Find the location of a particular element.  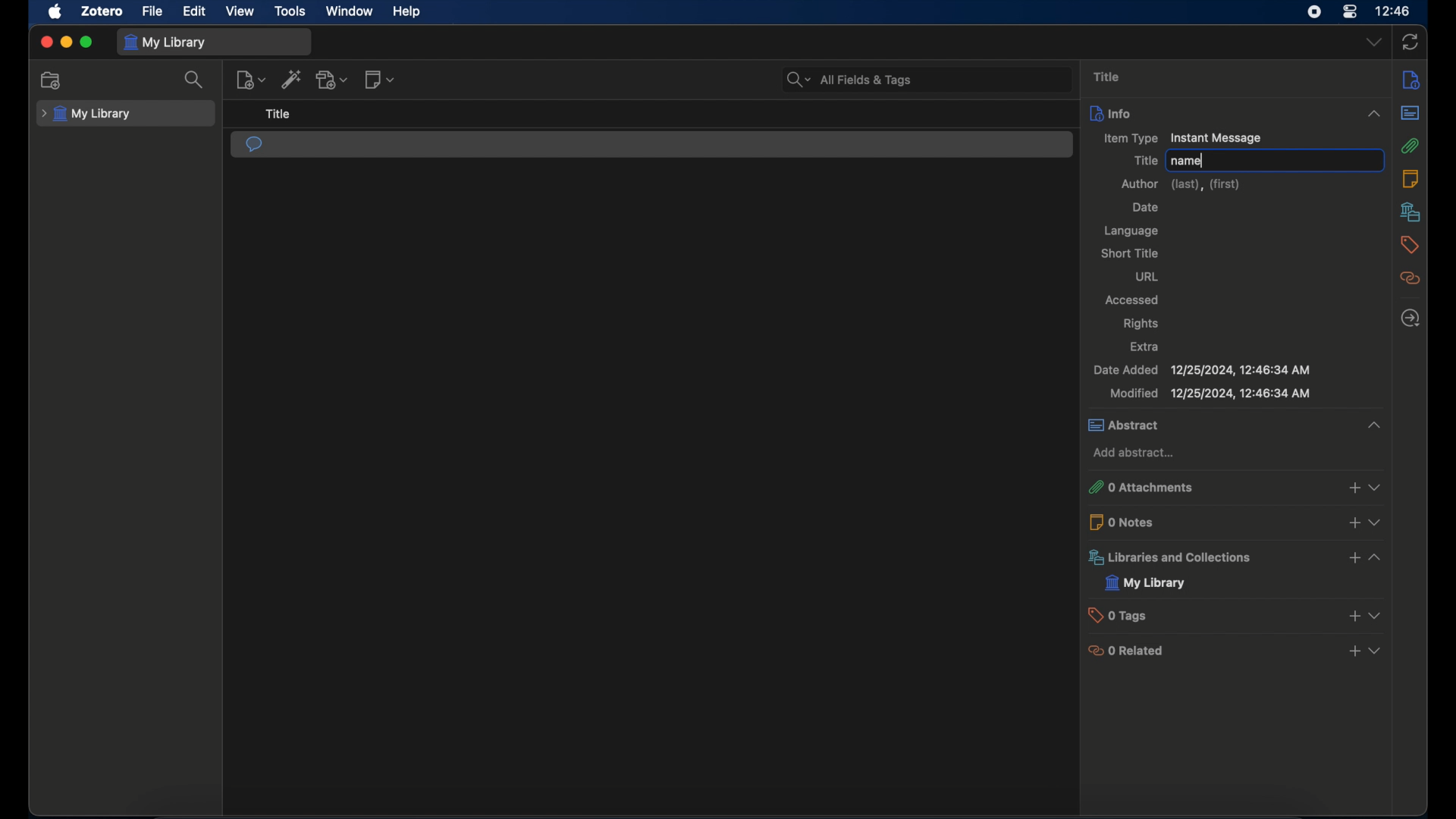

title is located at coordinates (277, 114).